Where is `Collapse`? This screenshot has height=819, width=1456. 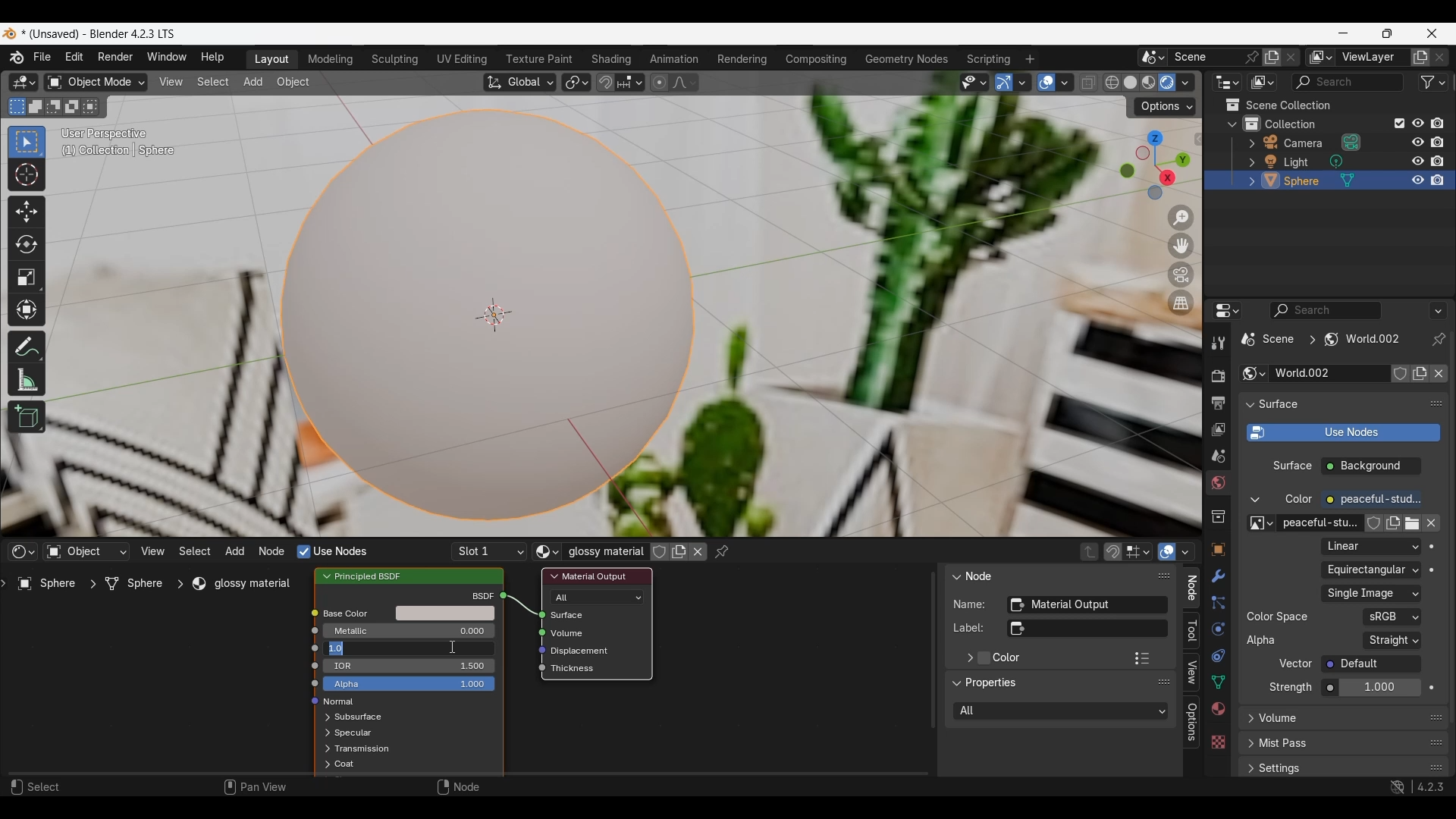 Collapse is located at coordinates (955, 576).